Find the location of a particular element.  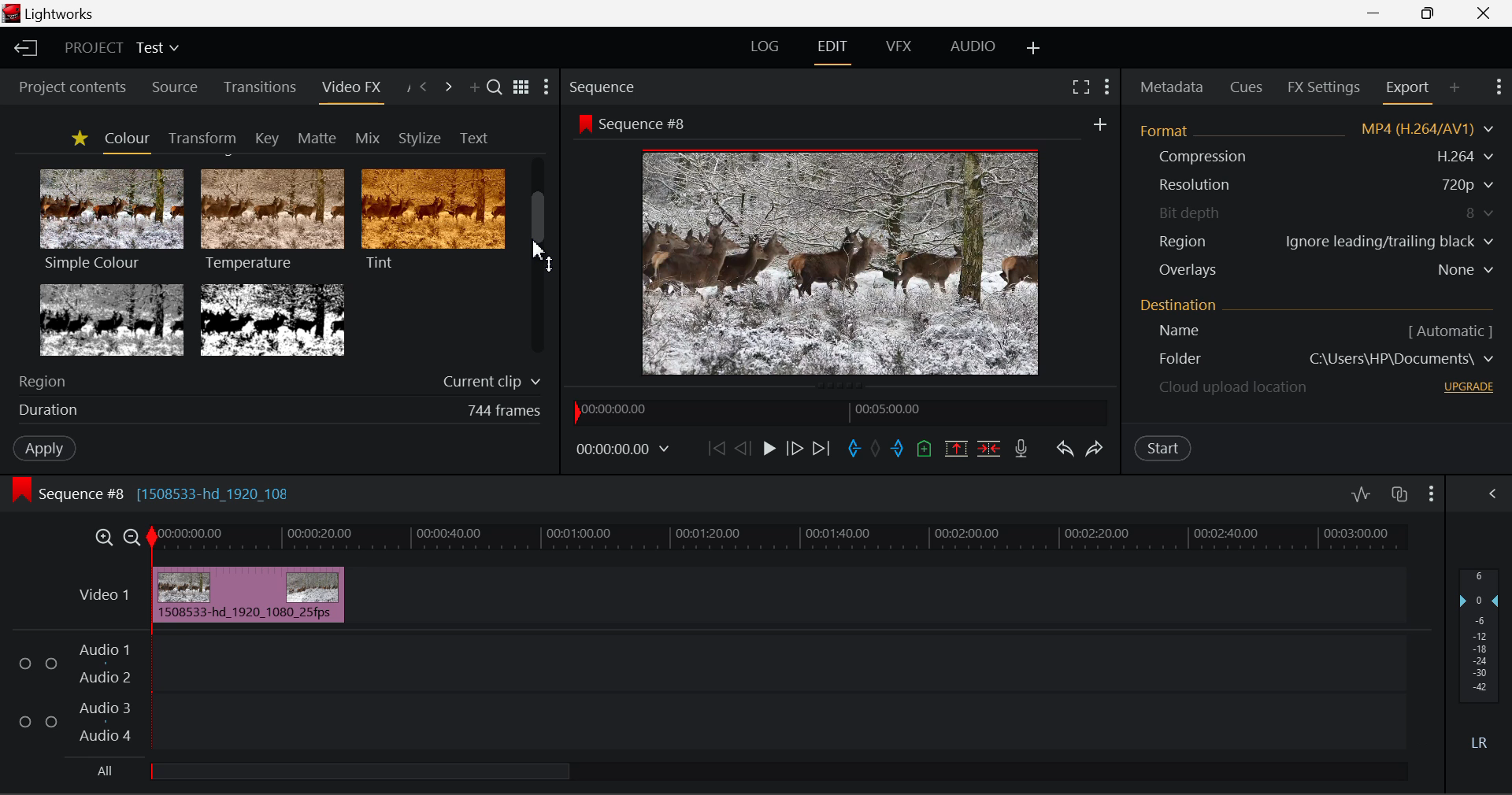

Undo is located at coordinates (1063, 448).